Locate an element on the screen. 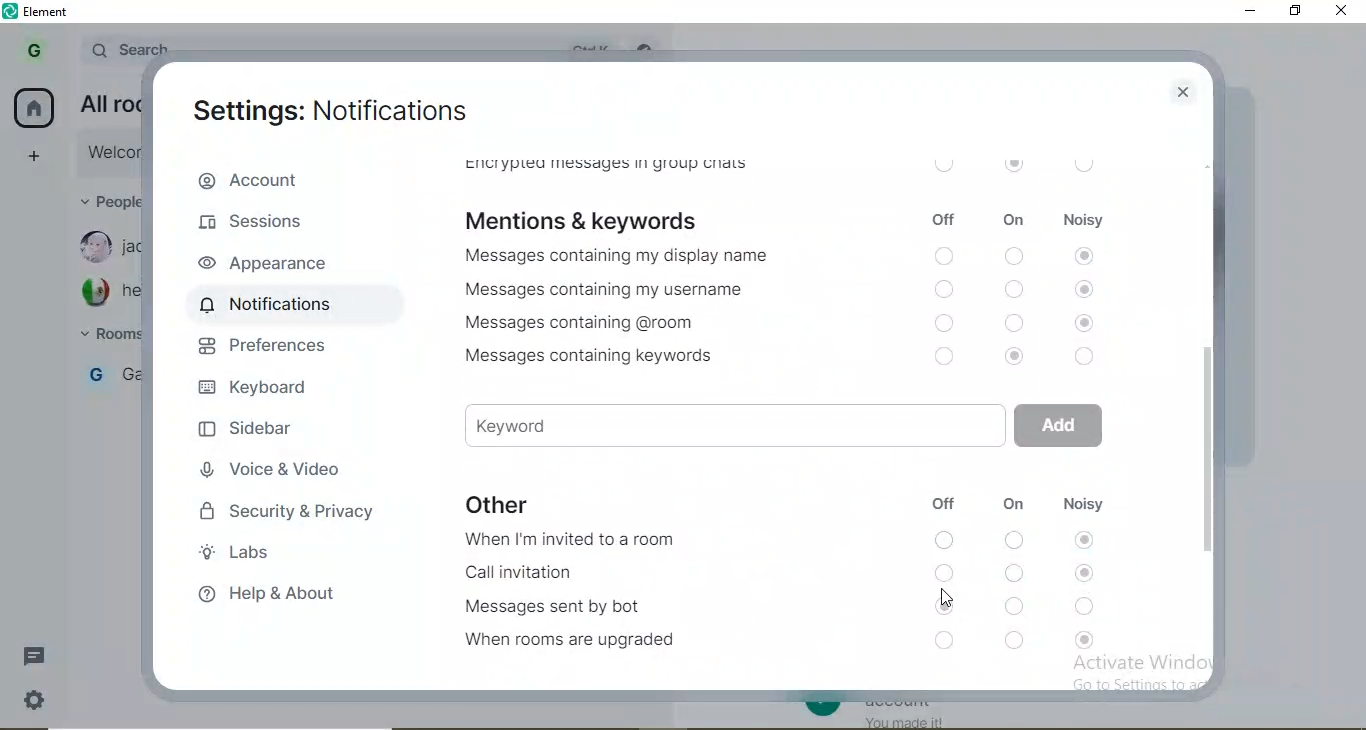 The width and height of the screenshot is (1366, 730). noisy switch is located at coordinates (1086, 606).